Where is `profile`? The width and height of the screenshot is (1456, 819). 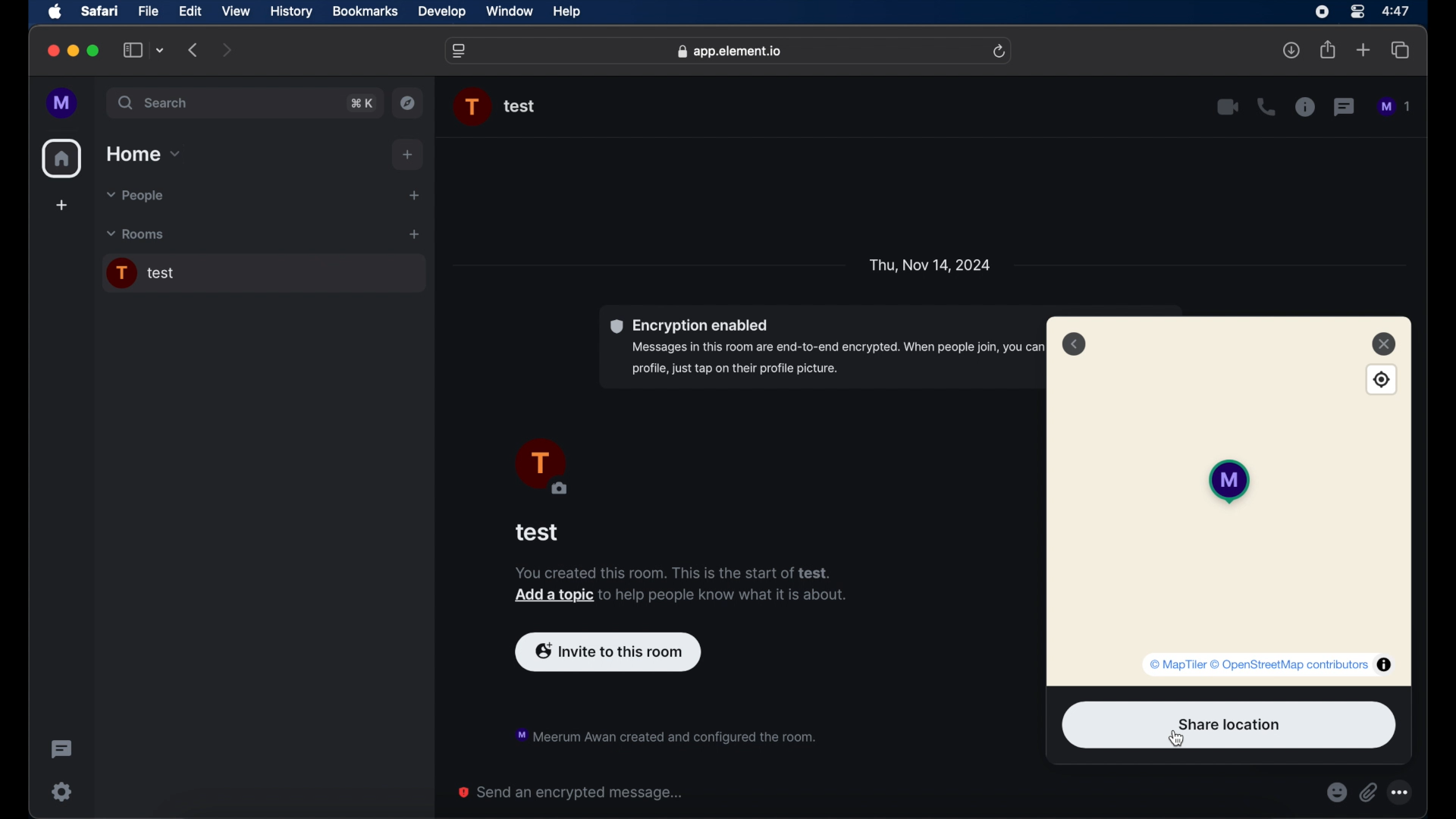
profile is located at coordinates (63, 103).